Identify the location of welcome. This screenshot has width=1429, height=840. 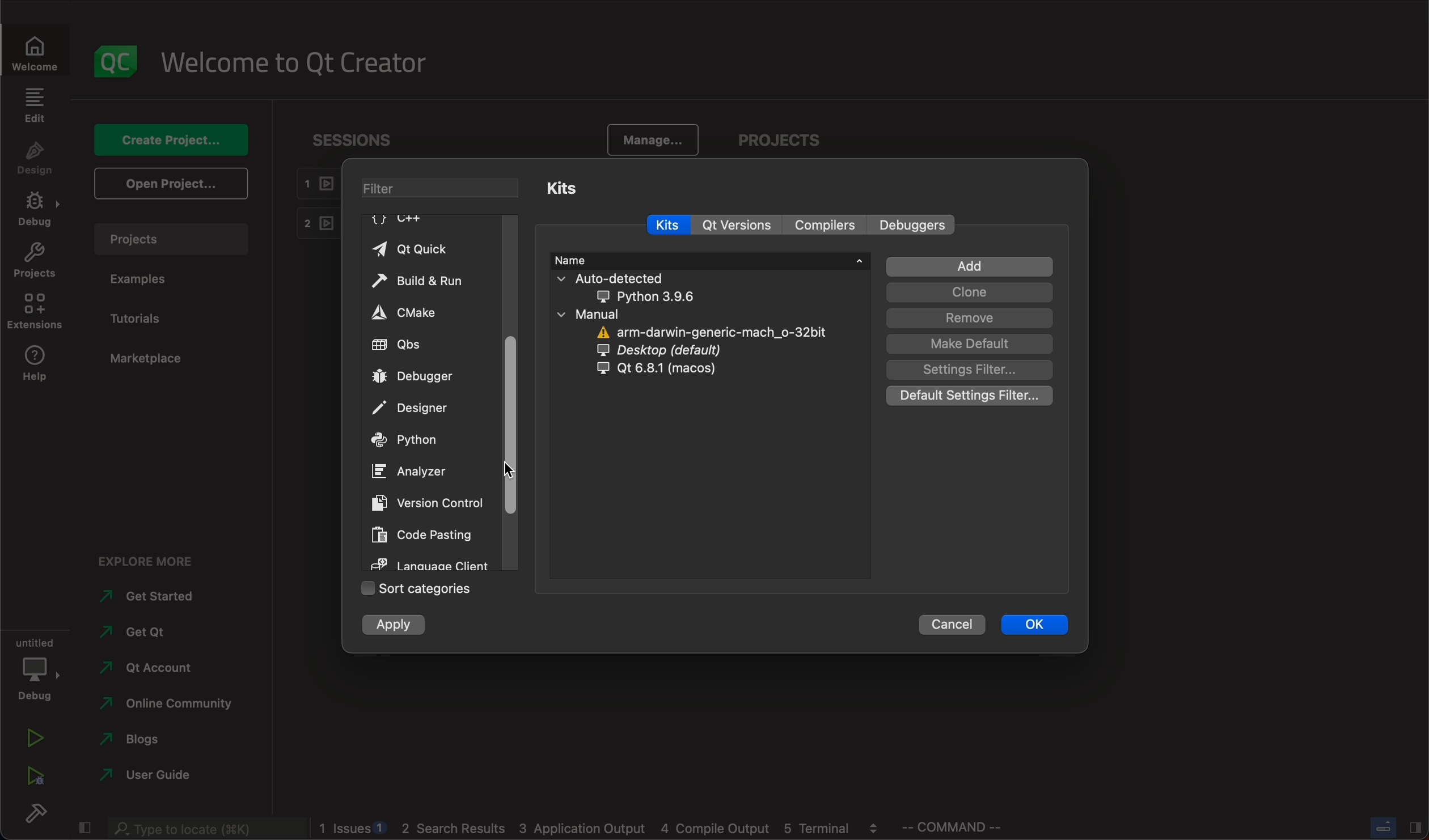
(298, 62).